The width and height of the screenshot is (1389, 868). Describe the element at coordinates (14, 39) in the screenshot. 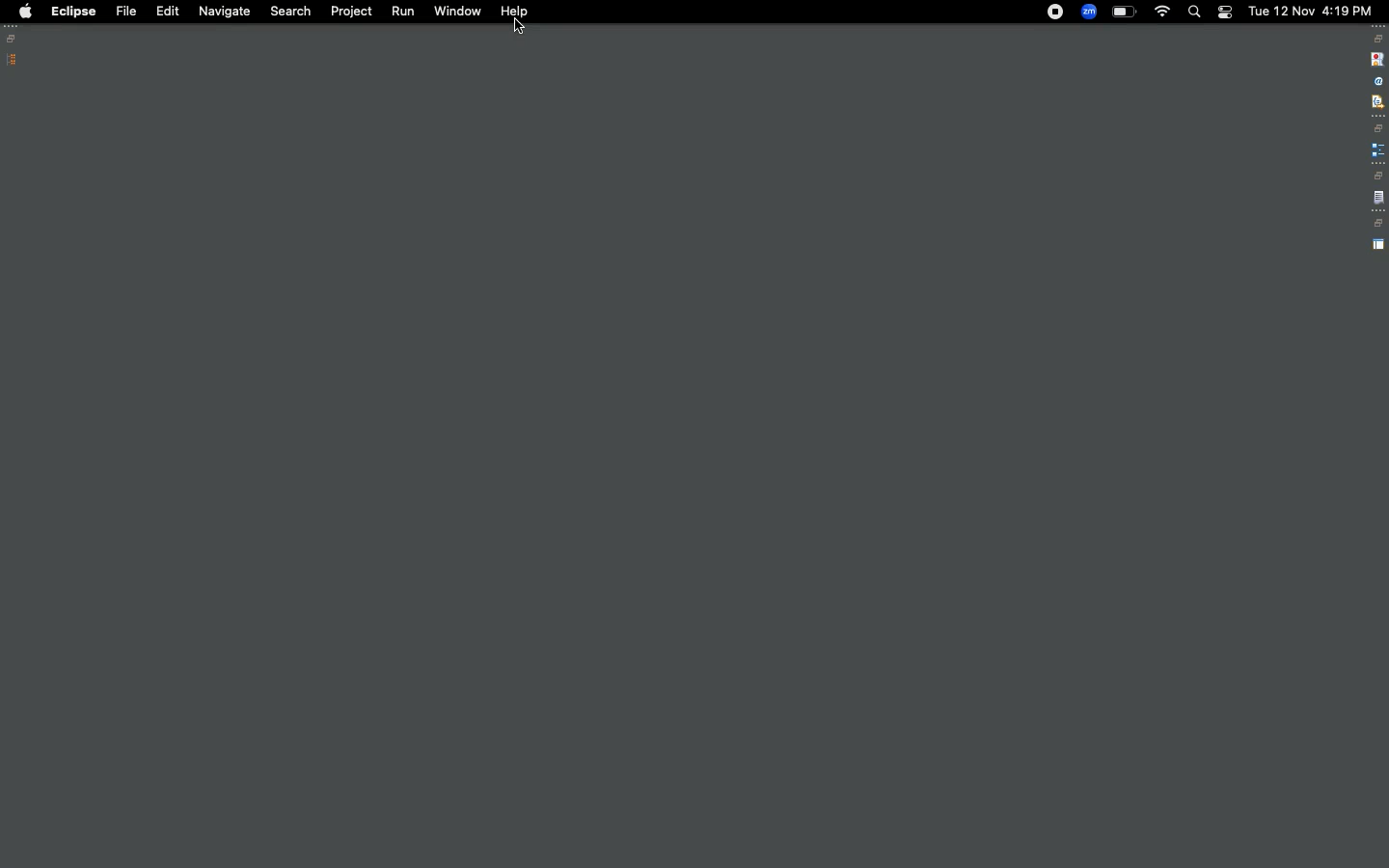

I see `Restore` at that location.